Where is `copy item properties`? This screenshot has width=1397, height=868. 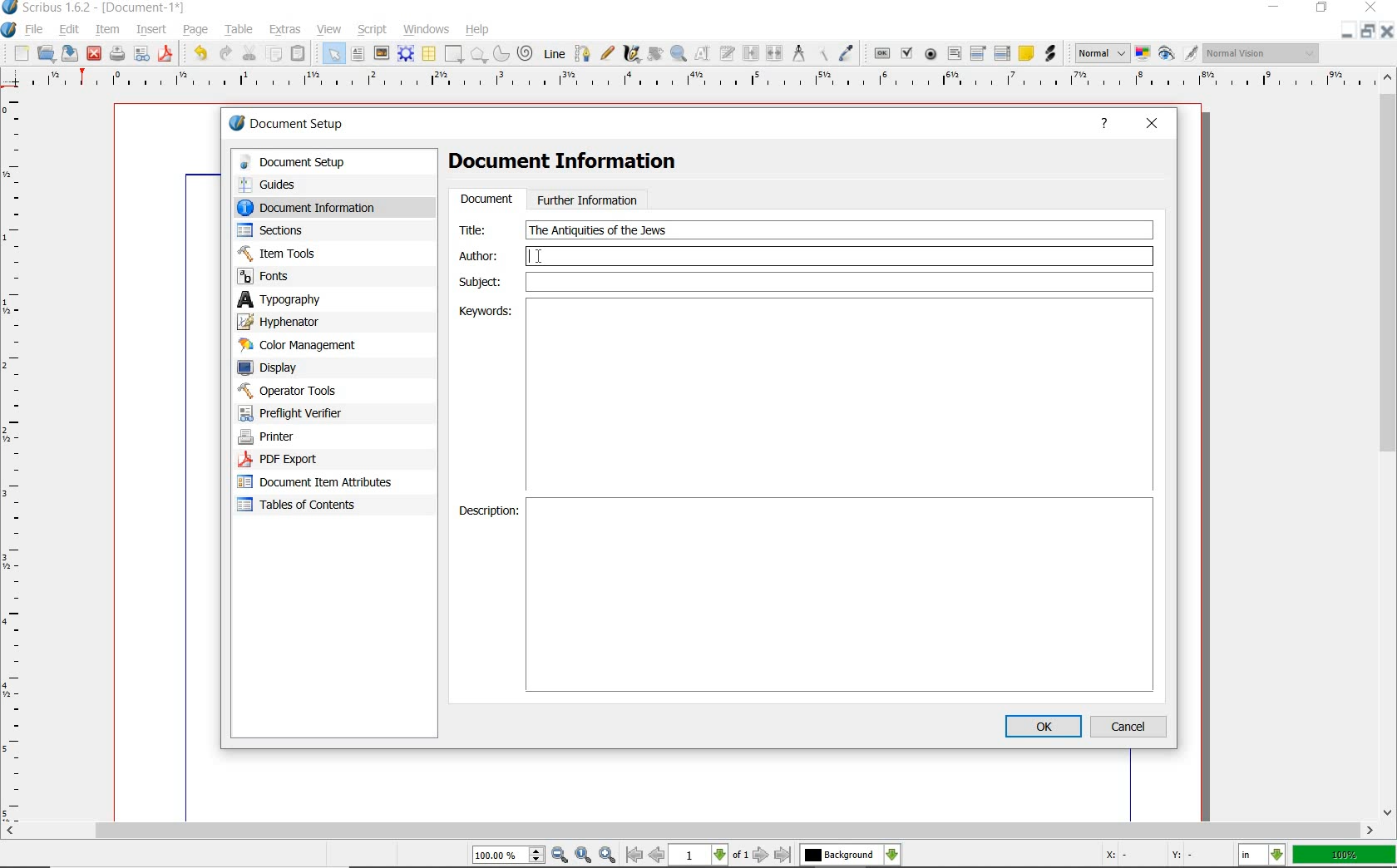 copy item properties is located at coordinates (821, 54).